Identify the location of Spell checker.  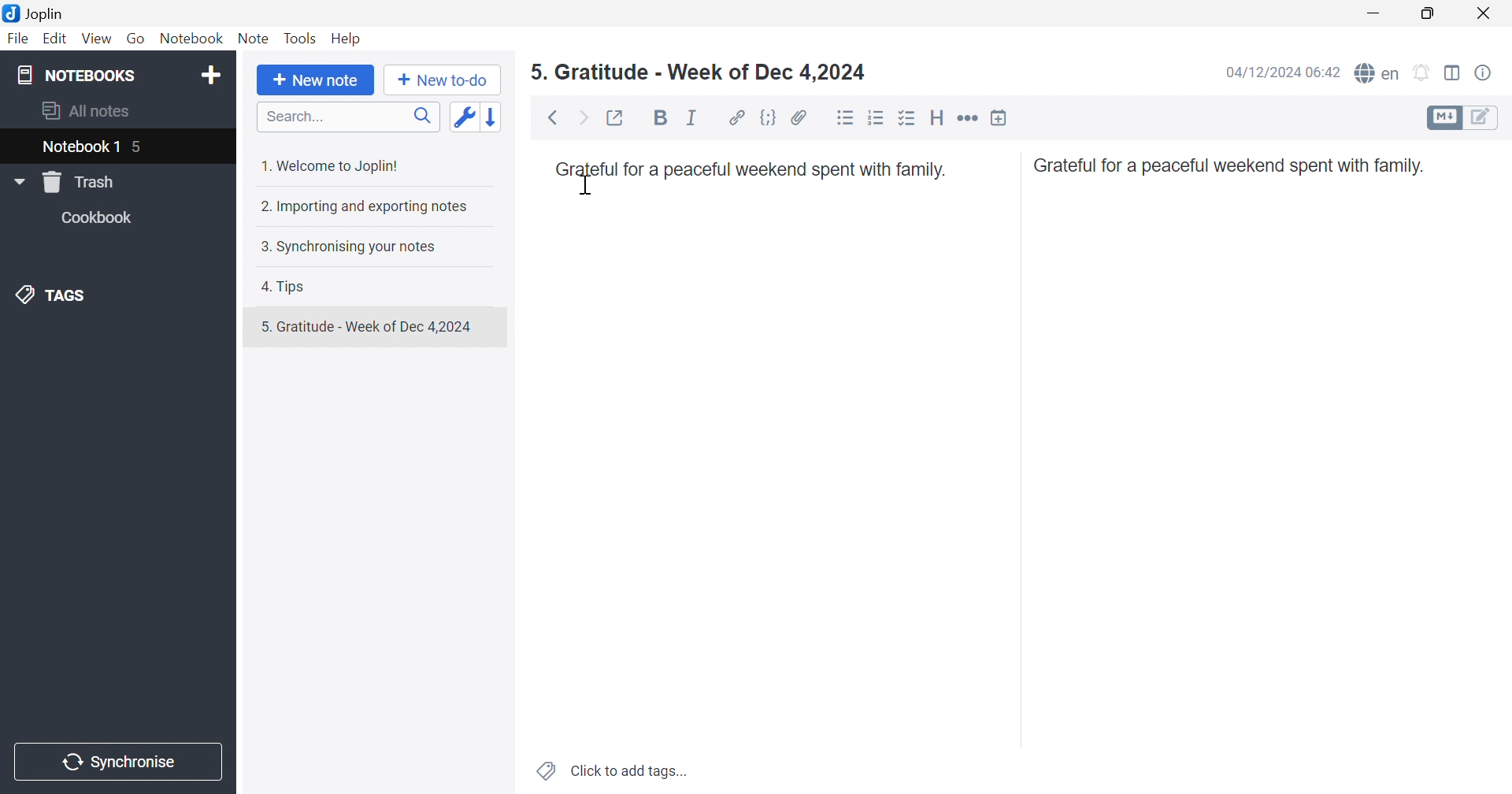
(1377, 72).